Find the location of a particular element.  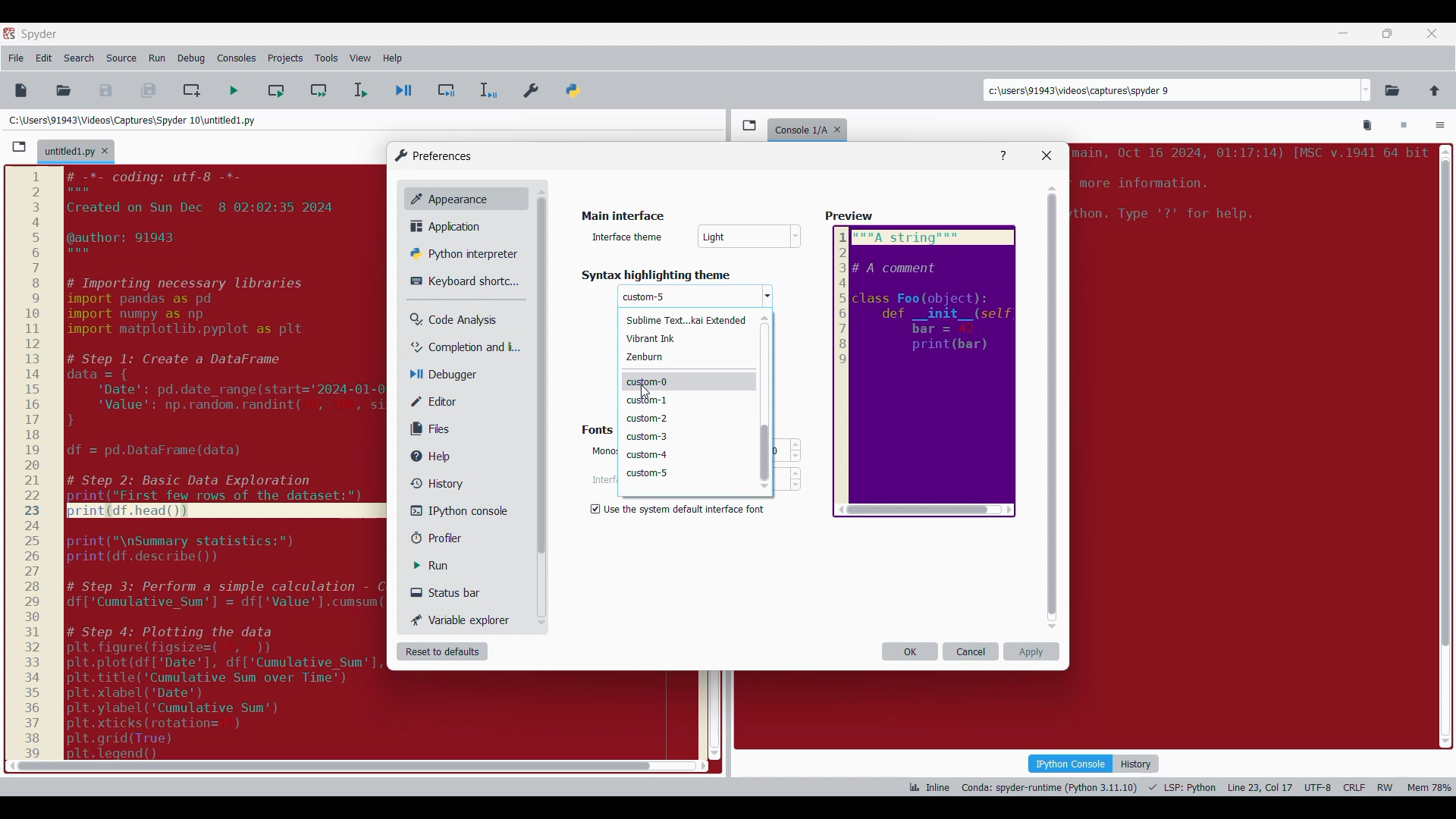

Save file is located at coordinates (107, 90).